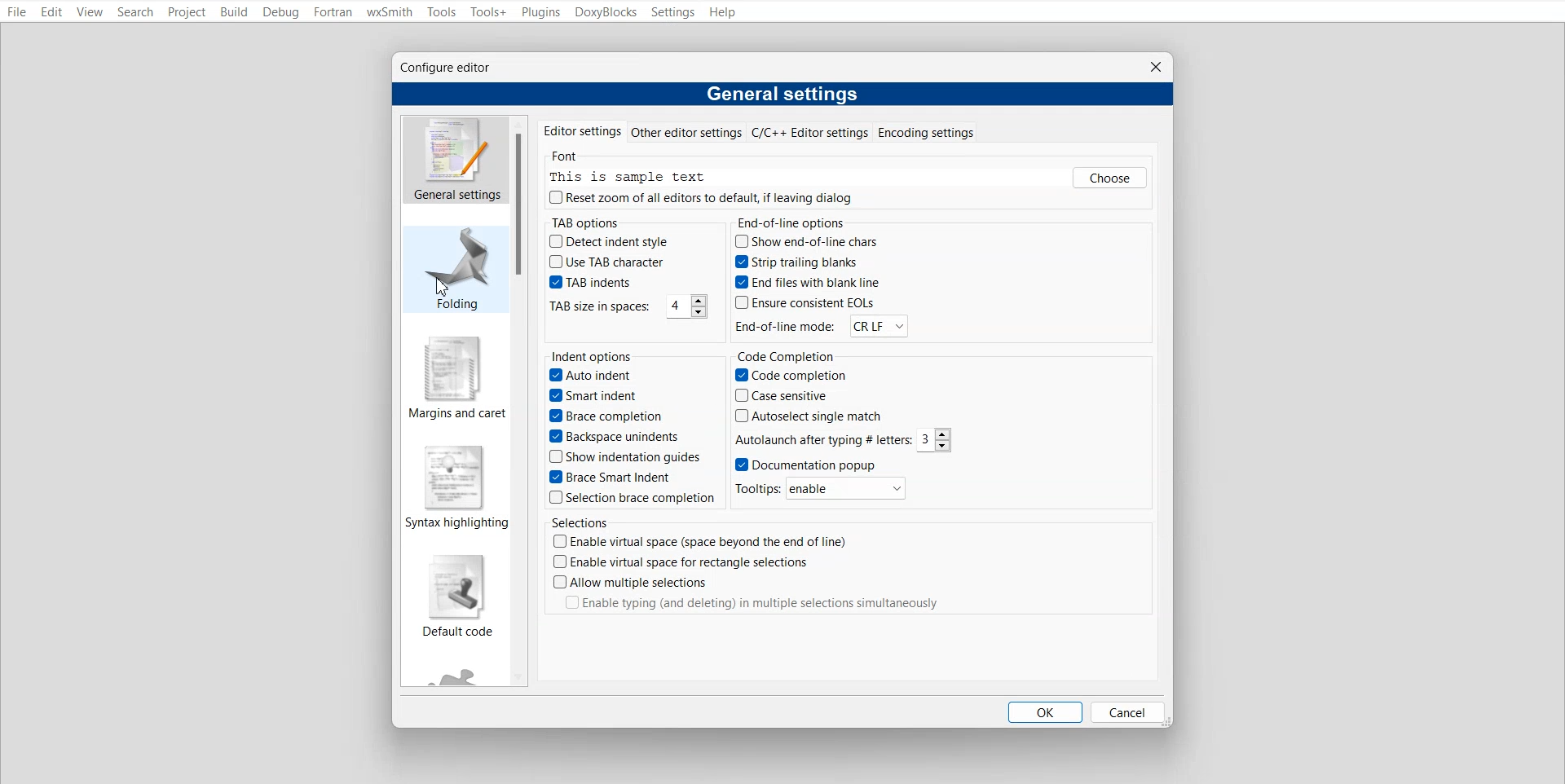 Image resolution: width=1565 pixels, height=784 pixels. What do you see at coordinates (795, 355) in the screenshot?
I see `Code Completion` at bounding box center [795, 355].